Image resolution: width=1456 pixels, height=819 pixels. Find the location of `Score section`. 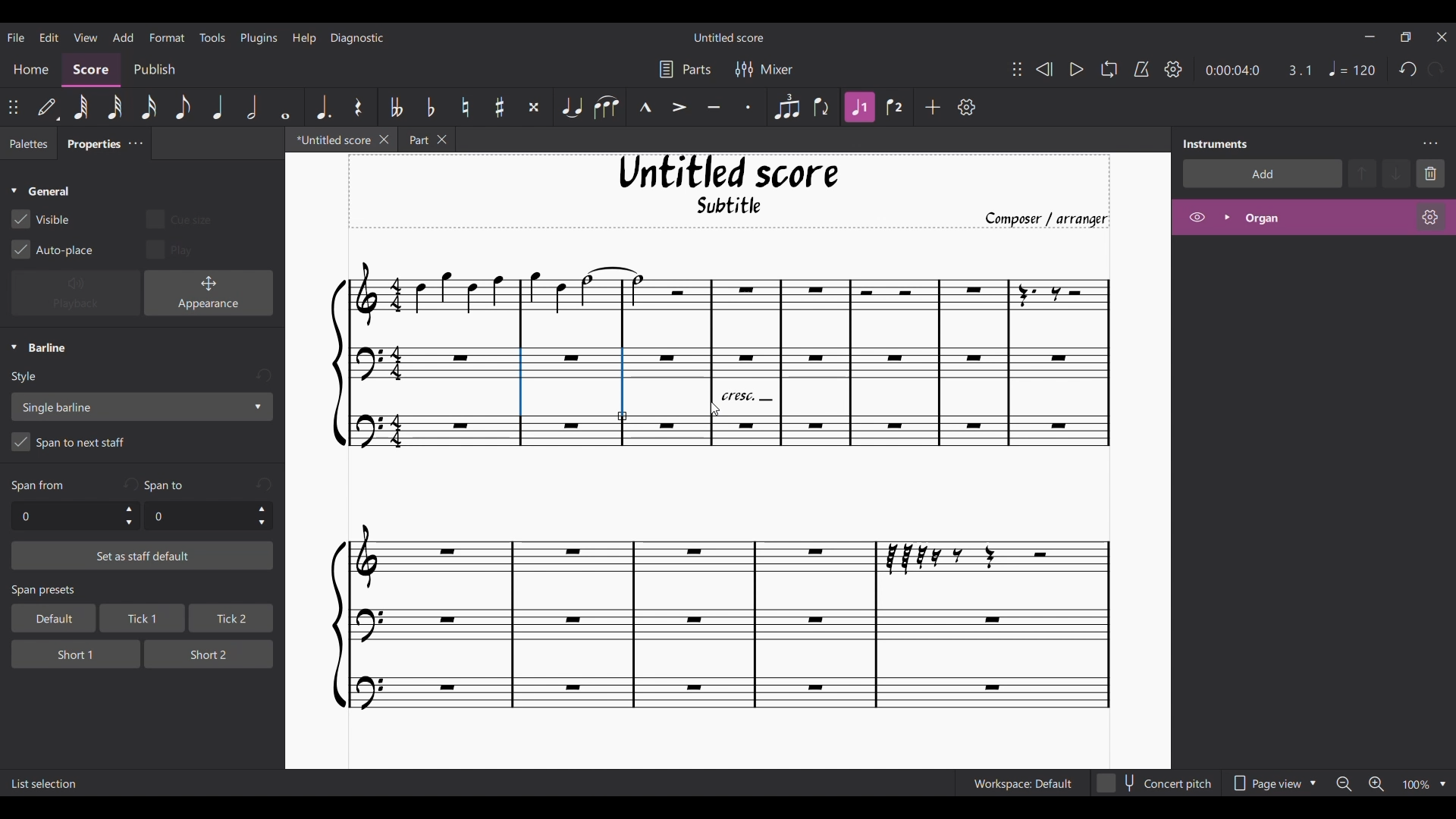

Score section is located at coordinates (91, 68).